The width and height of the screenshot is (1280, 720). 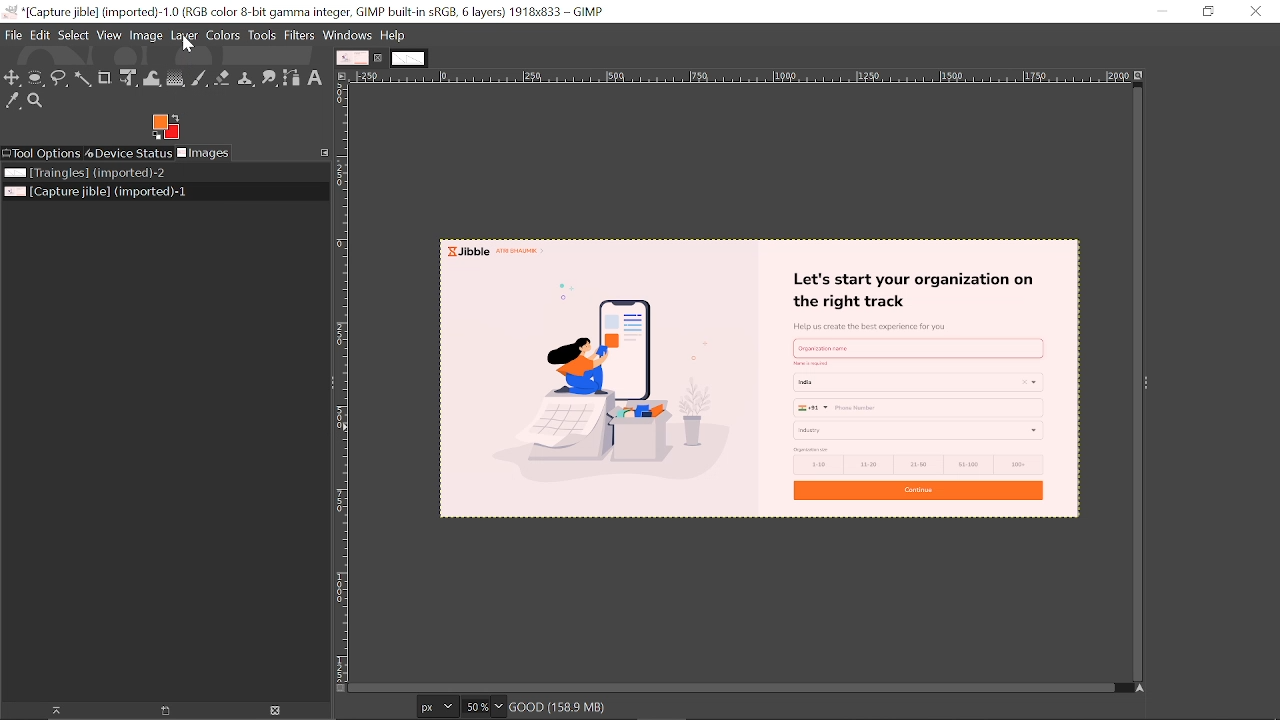 What do you see at coordinates (275, 711) in the screenshot?
I see `Delete image` at bounding box center [275, 711].